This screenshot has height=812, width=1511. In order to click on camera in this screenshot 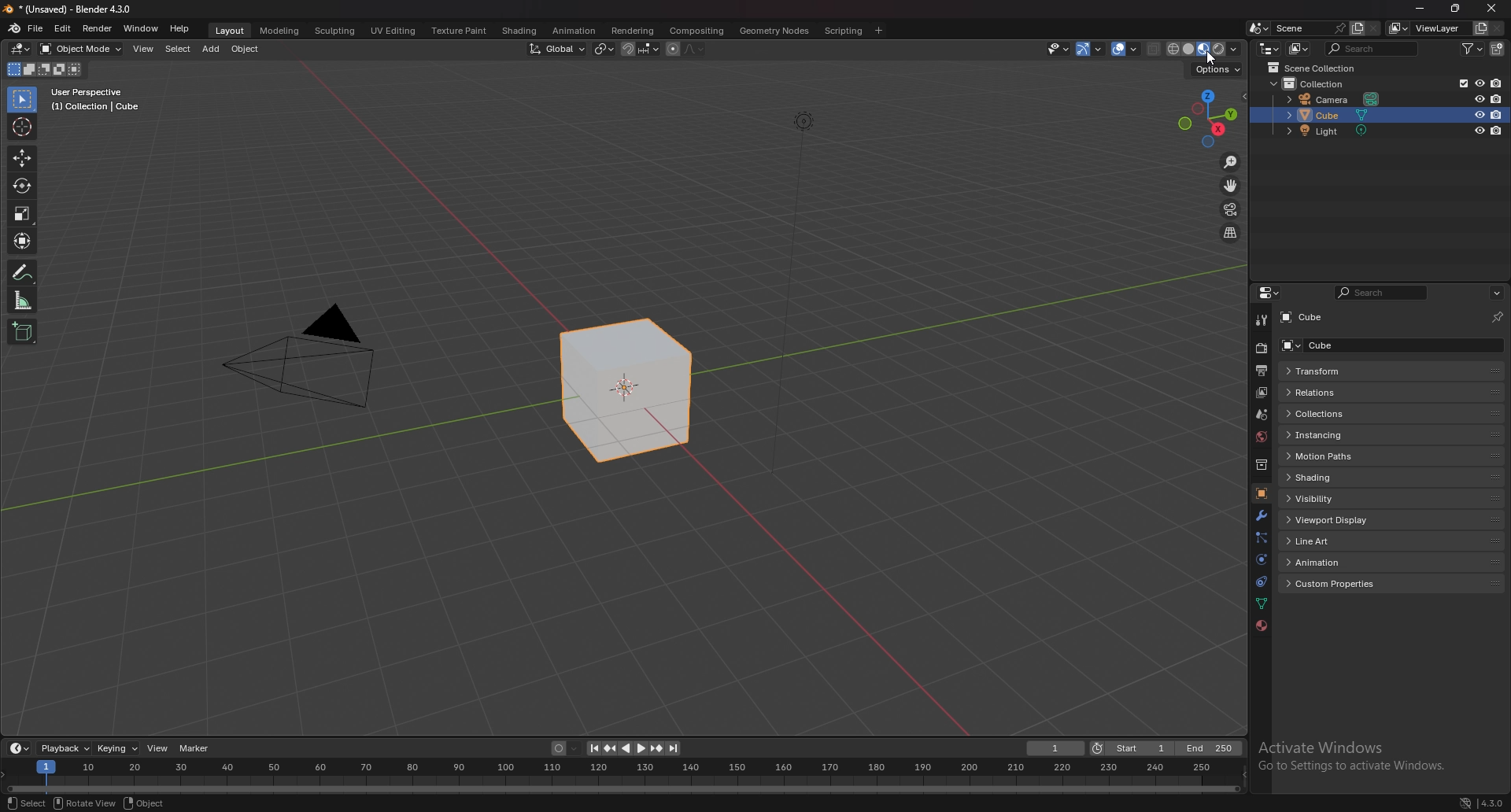, I will do `click(1326, 99)`.